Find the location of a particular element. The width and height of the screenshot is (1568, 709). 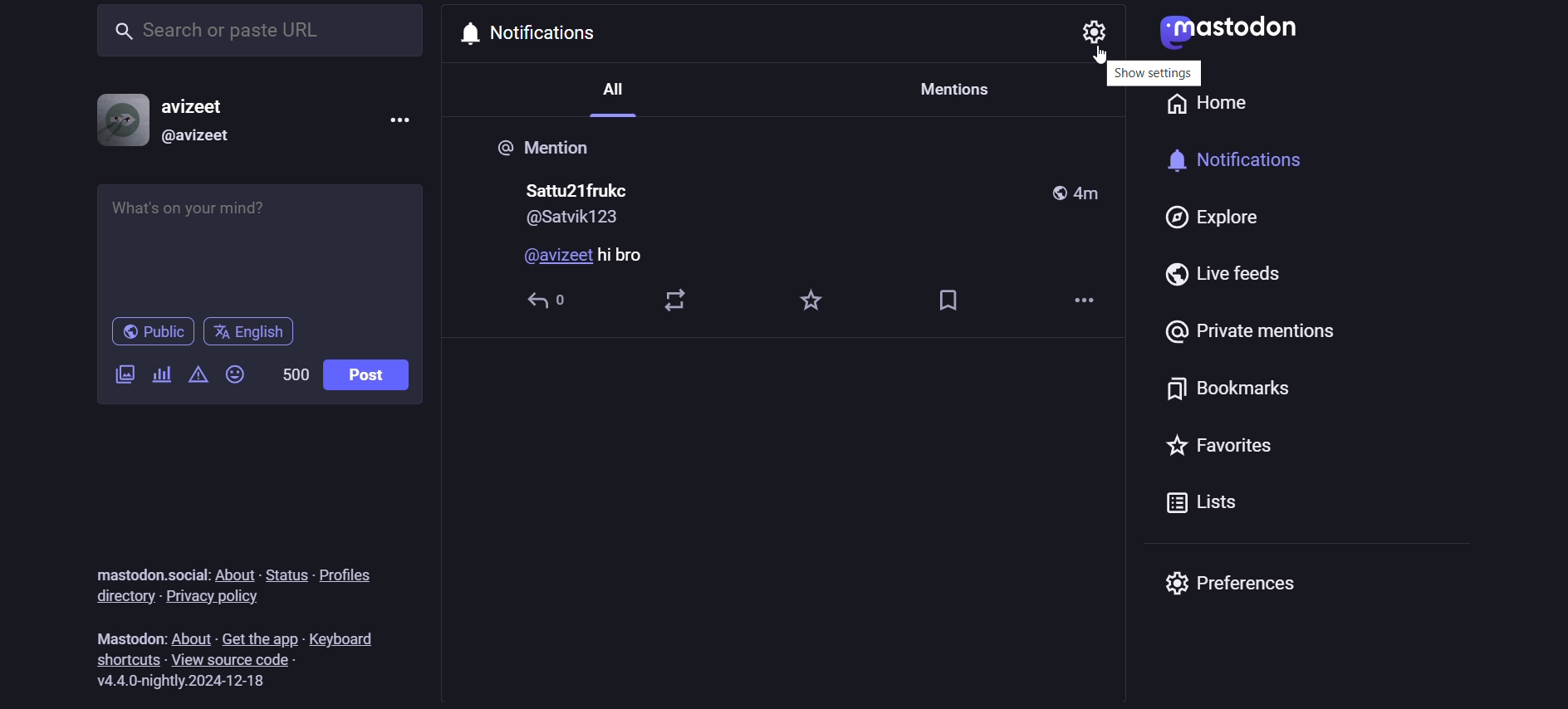

show setting is located at coordinates (1111, 73).